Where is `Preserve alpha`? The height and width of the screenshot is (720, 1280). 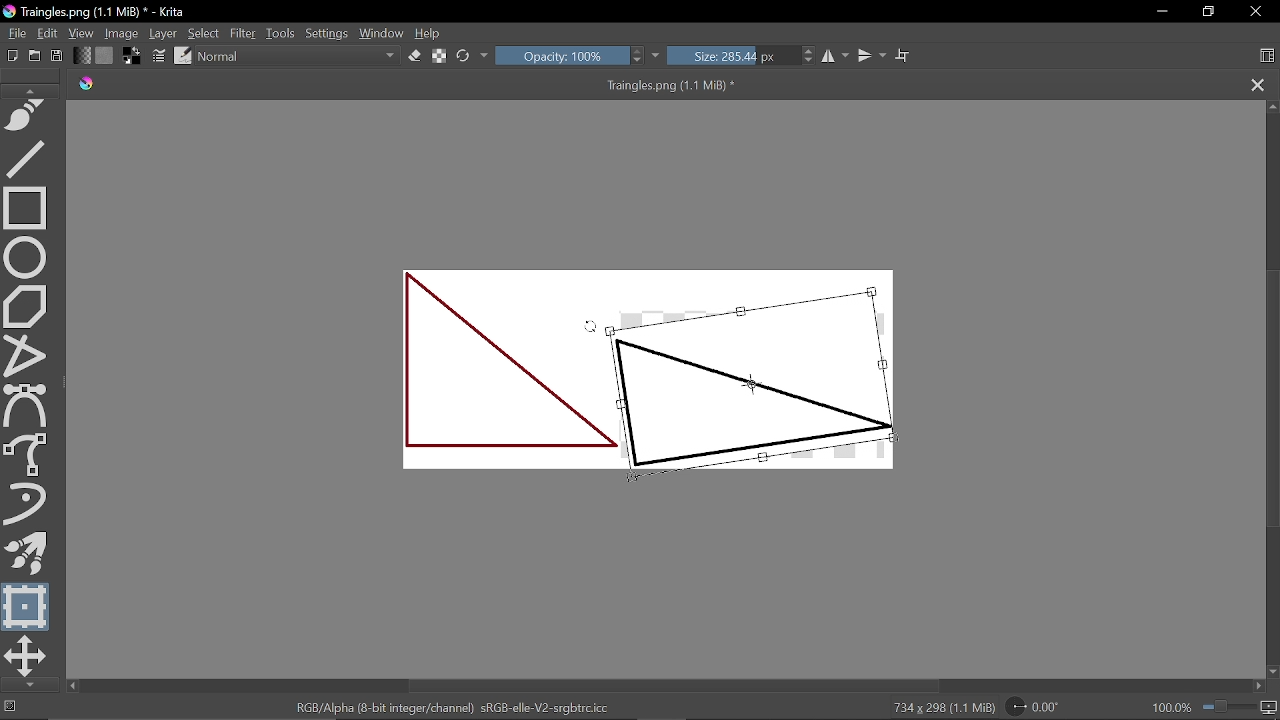
Preserve alpha is located at coordinates (441, 56).